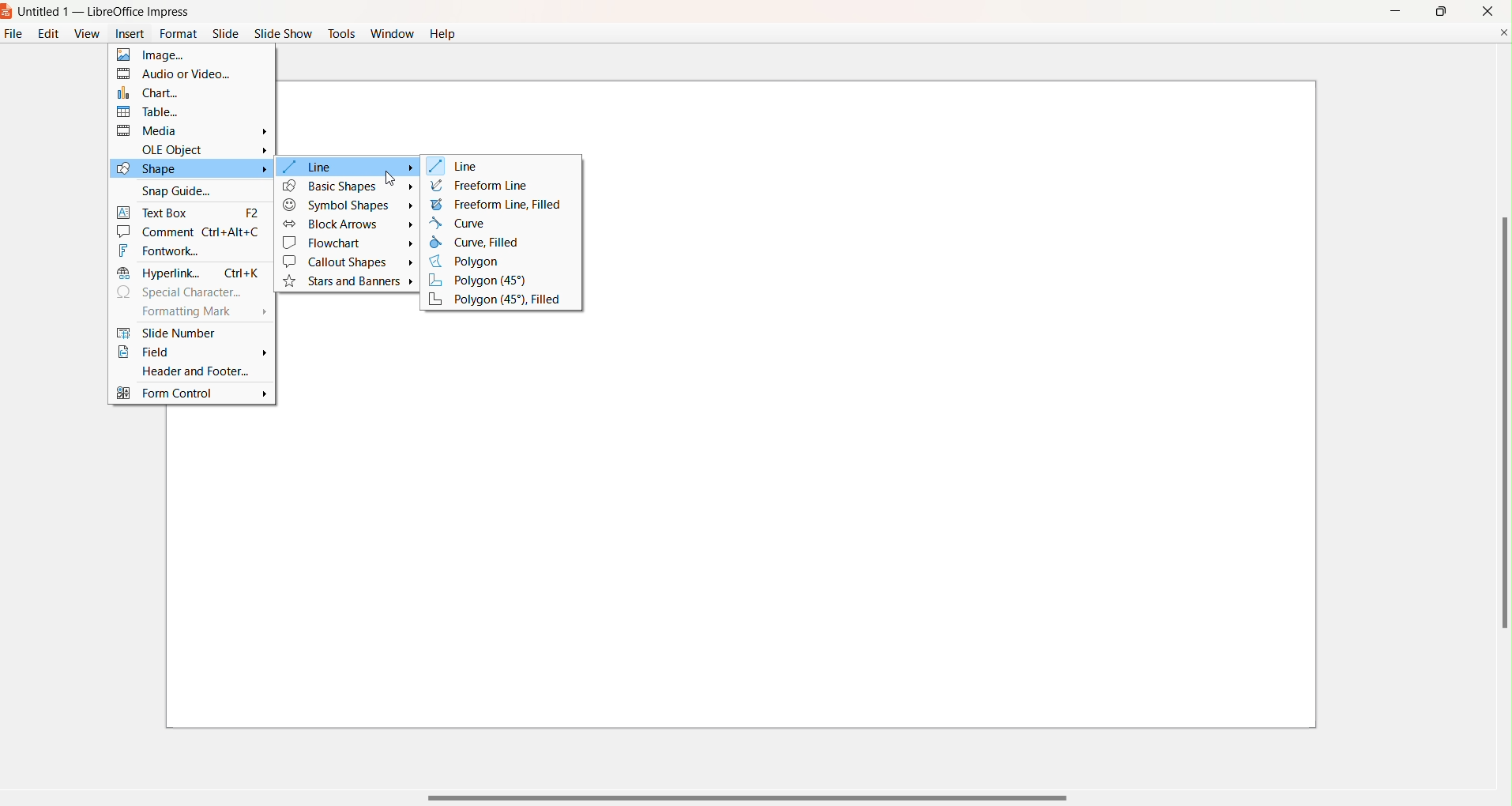 The width and height of the screenshot is (1512, 806). I want to click on Freedom Line, Filled, so click(498, 204).